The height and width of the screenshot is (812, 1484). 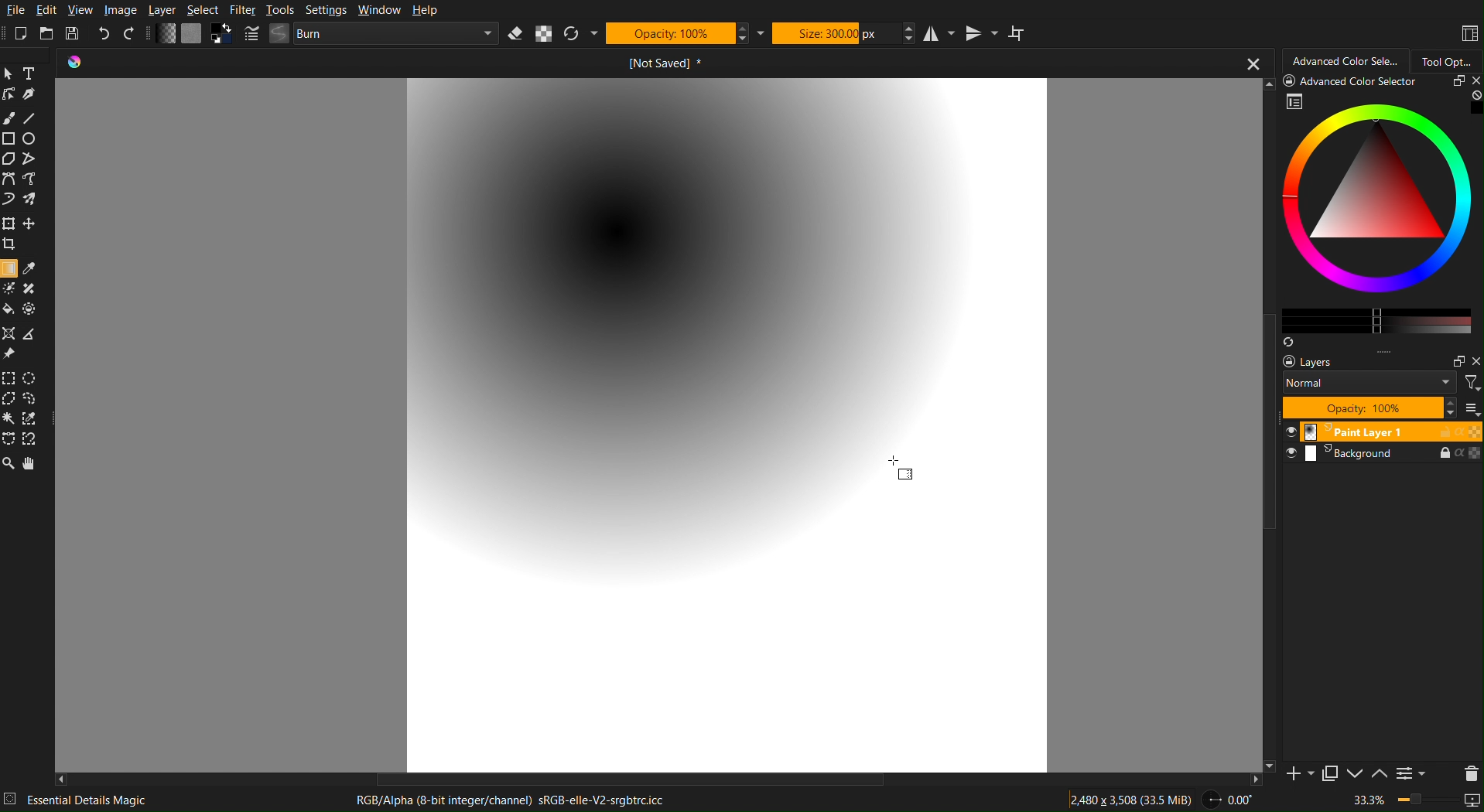 I want to click on Redo, so click(x=132, y=35).